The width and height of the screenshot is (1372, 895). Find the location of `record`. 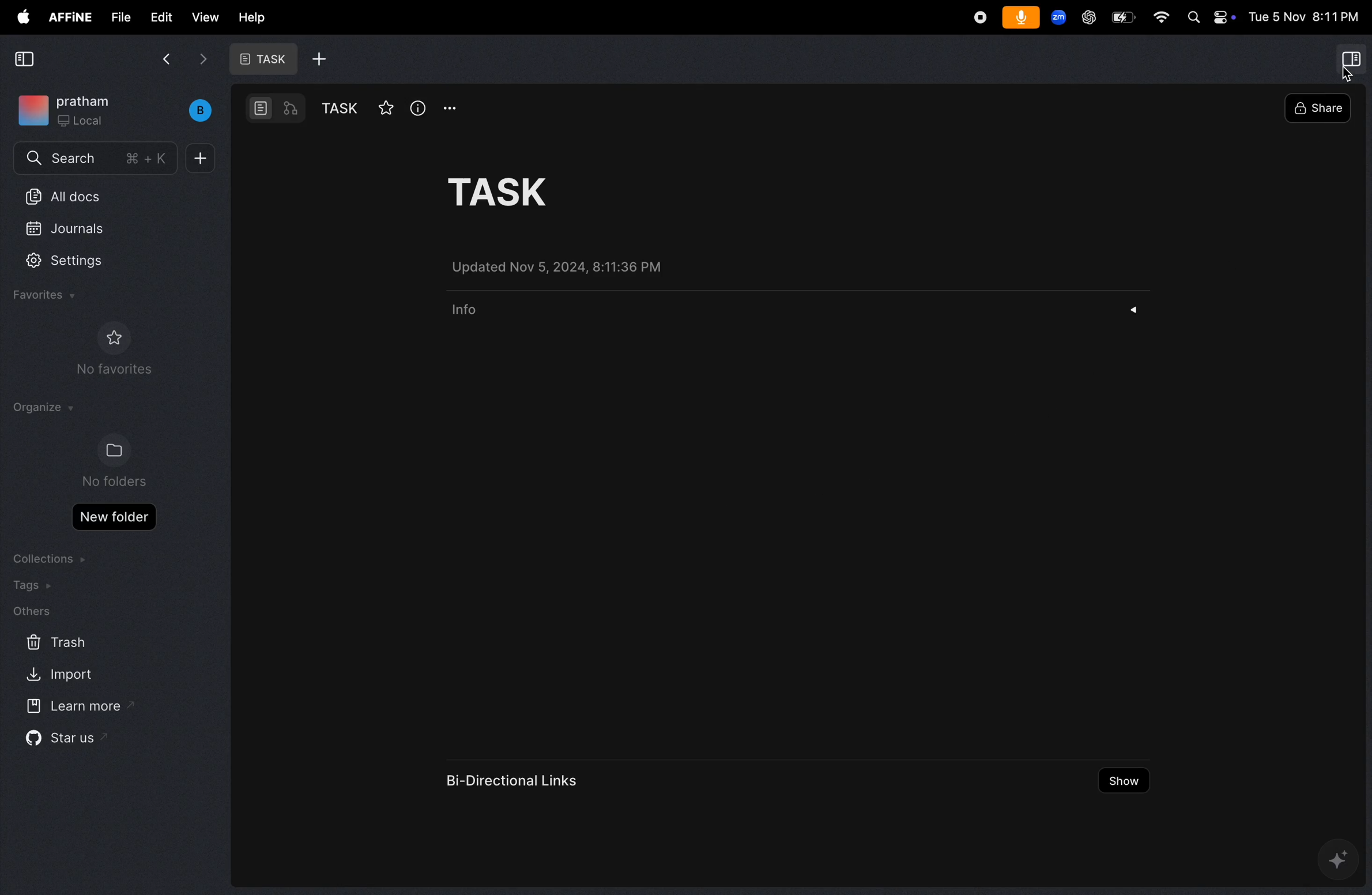

record is located at coordinates (977, 17).